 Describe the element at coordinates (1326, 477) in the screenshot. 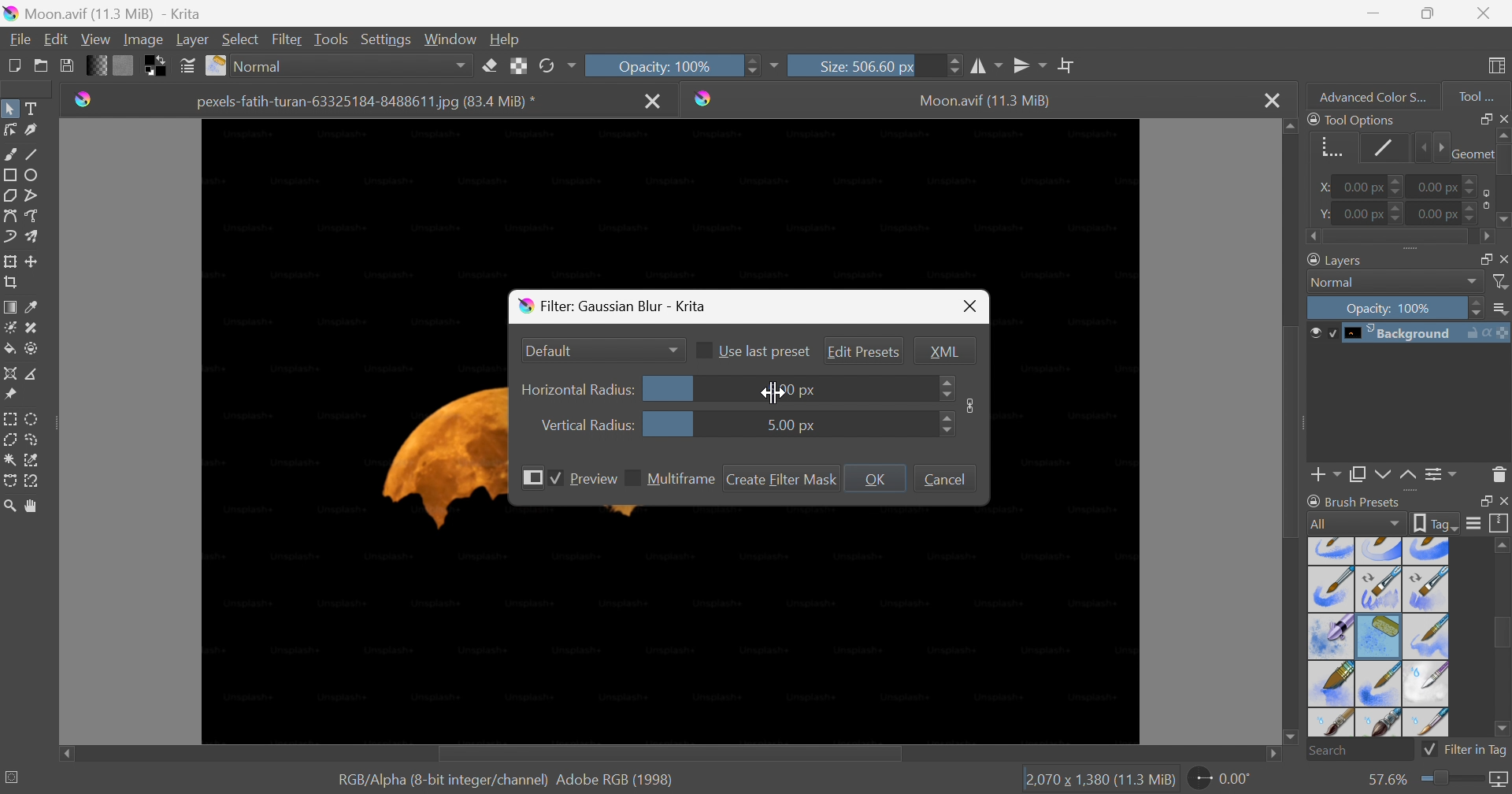

I see `Add layer` at that location.